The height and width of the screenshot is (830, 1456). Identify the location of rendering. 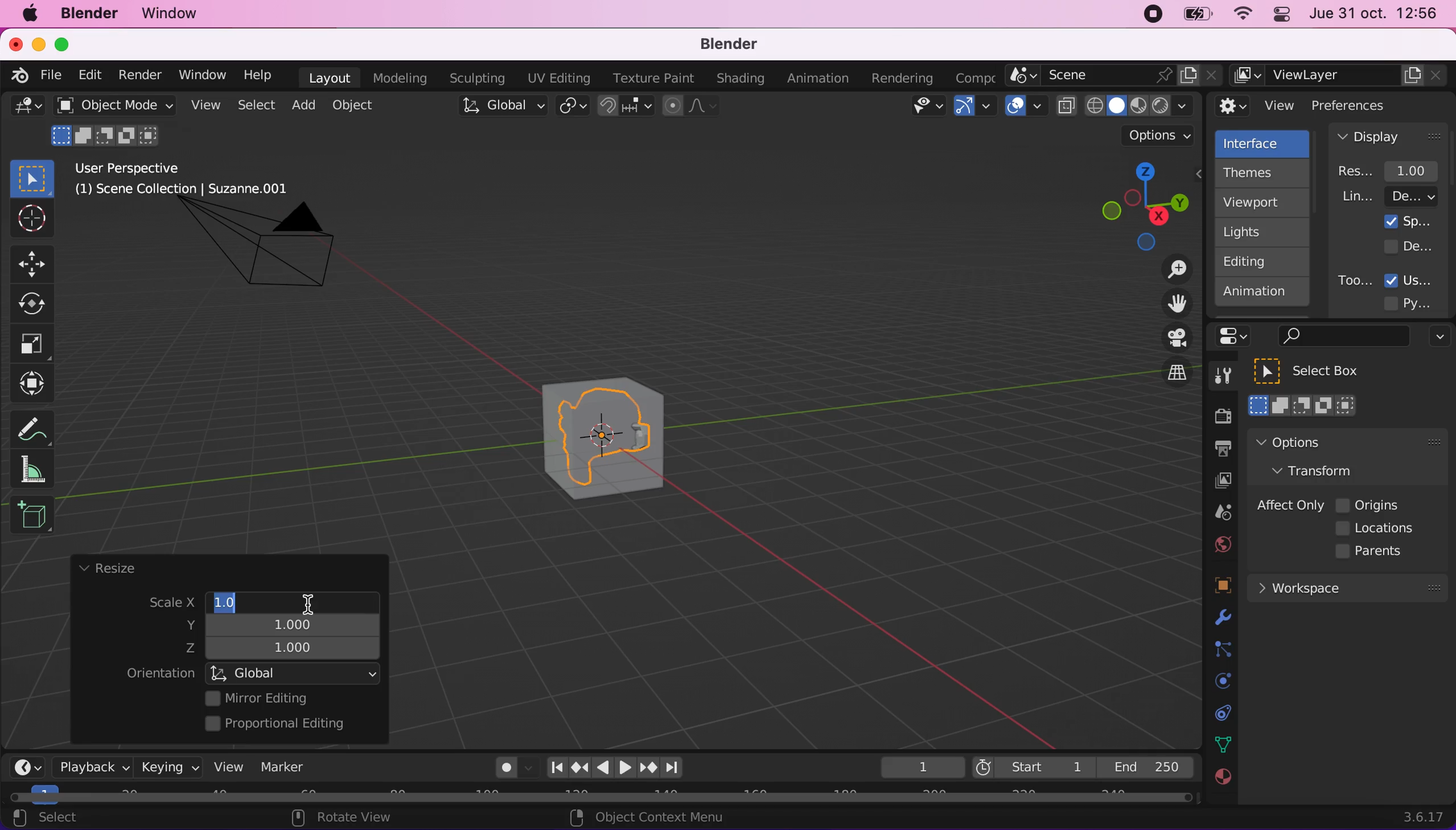
(903, 79).